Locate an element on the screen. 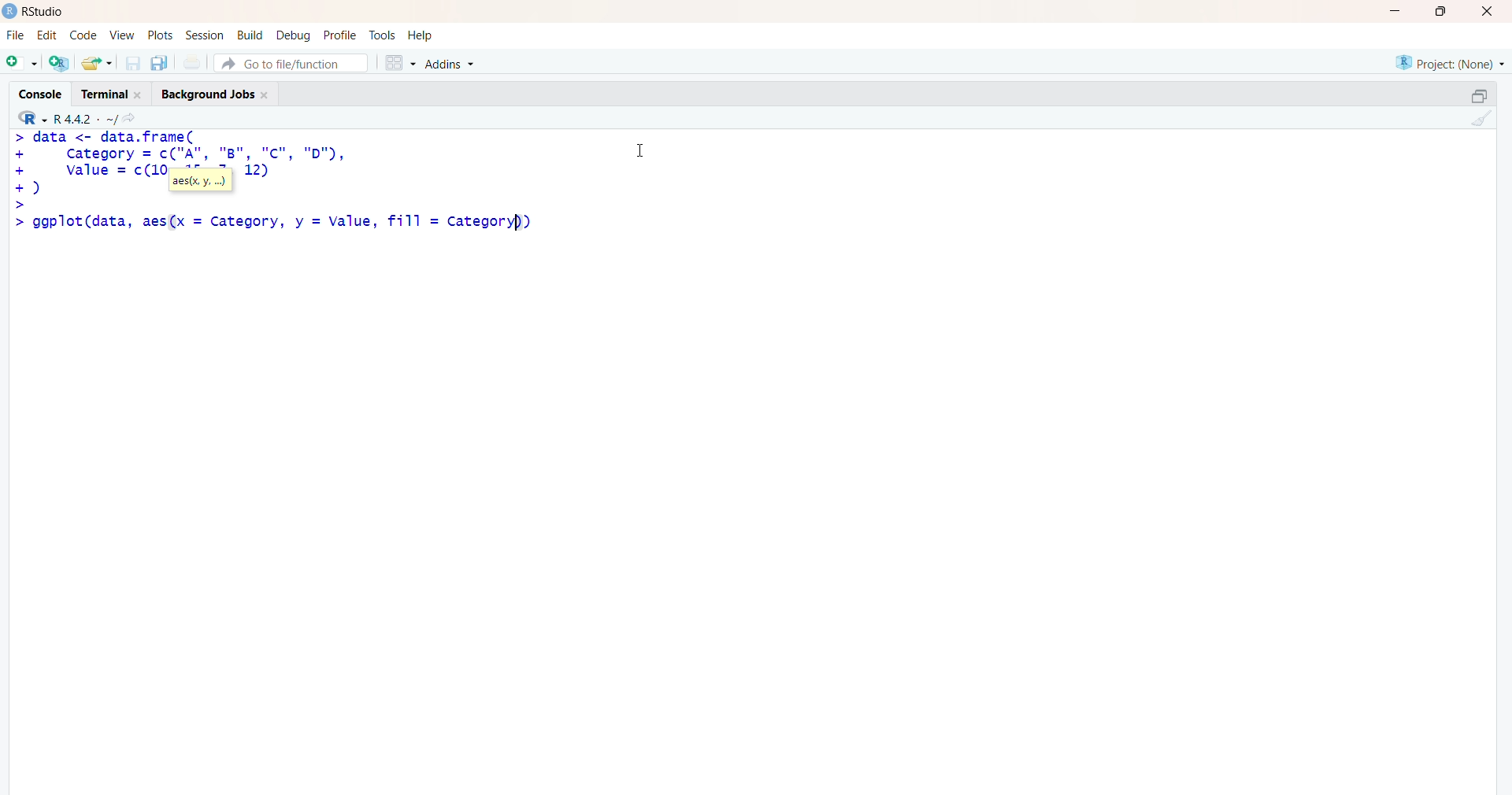 Image resolution: width=1512 pixels, height=795 pixels. Cursor is located at coordinates (641, 148).